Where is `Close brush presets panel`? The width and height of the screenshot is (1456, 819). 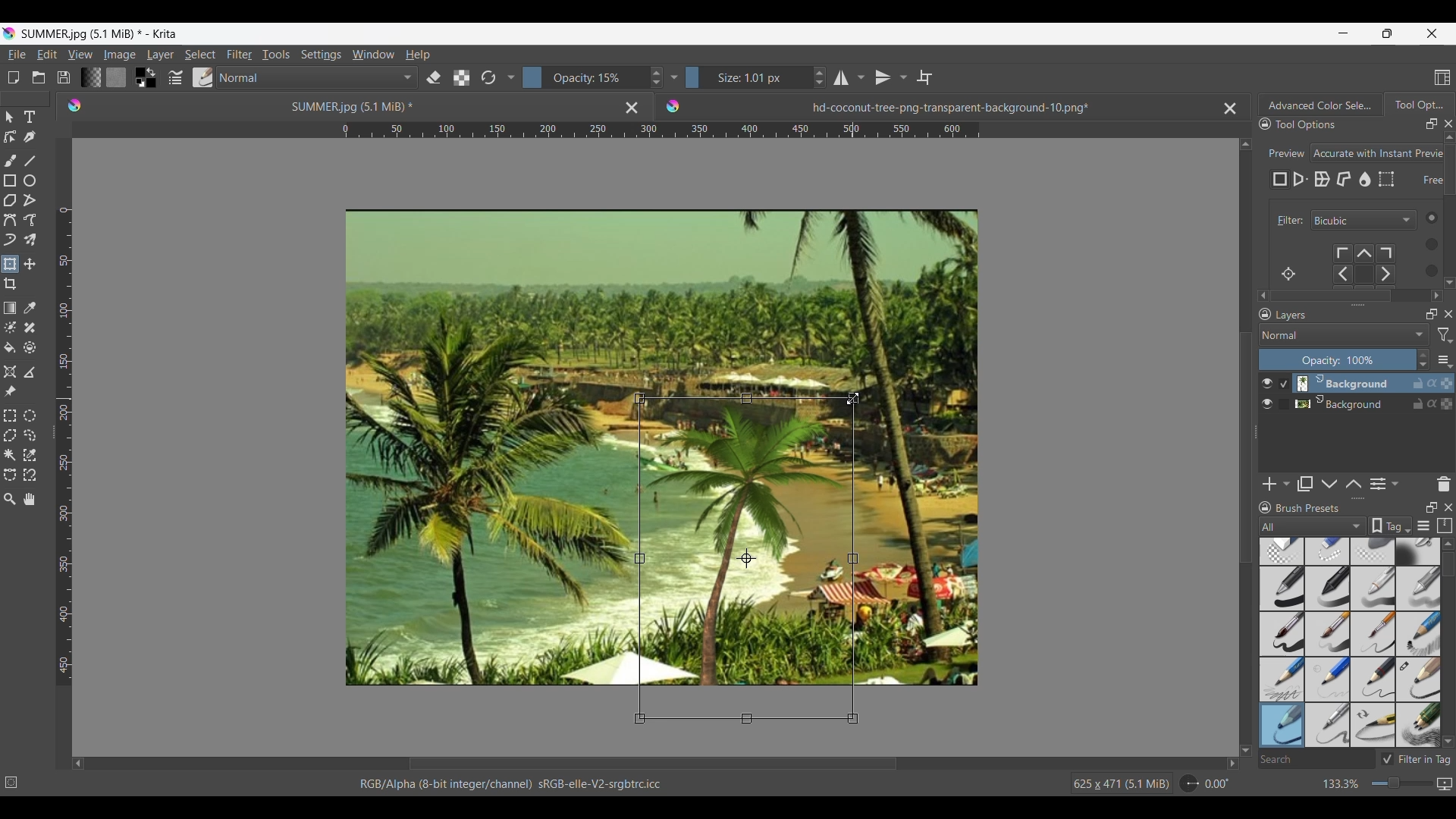
Close brush presets panel is located at coordinates (1448, 507).